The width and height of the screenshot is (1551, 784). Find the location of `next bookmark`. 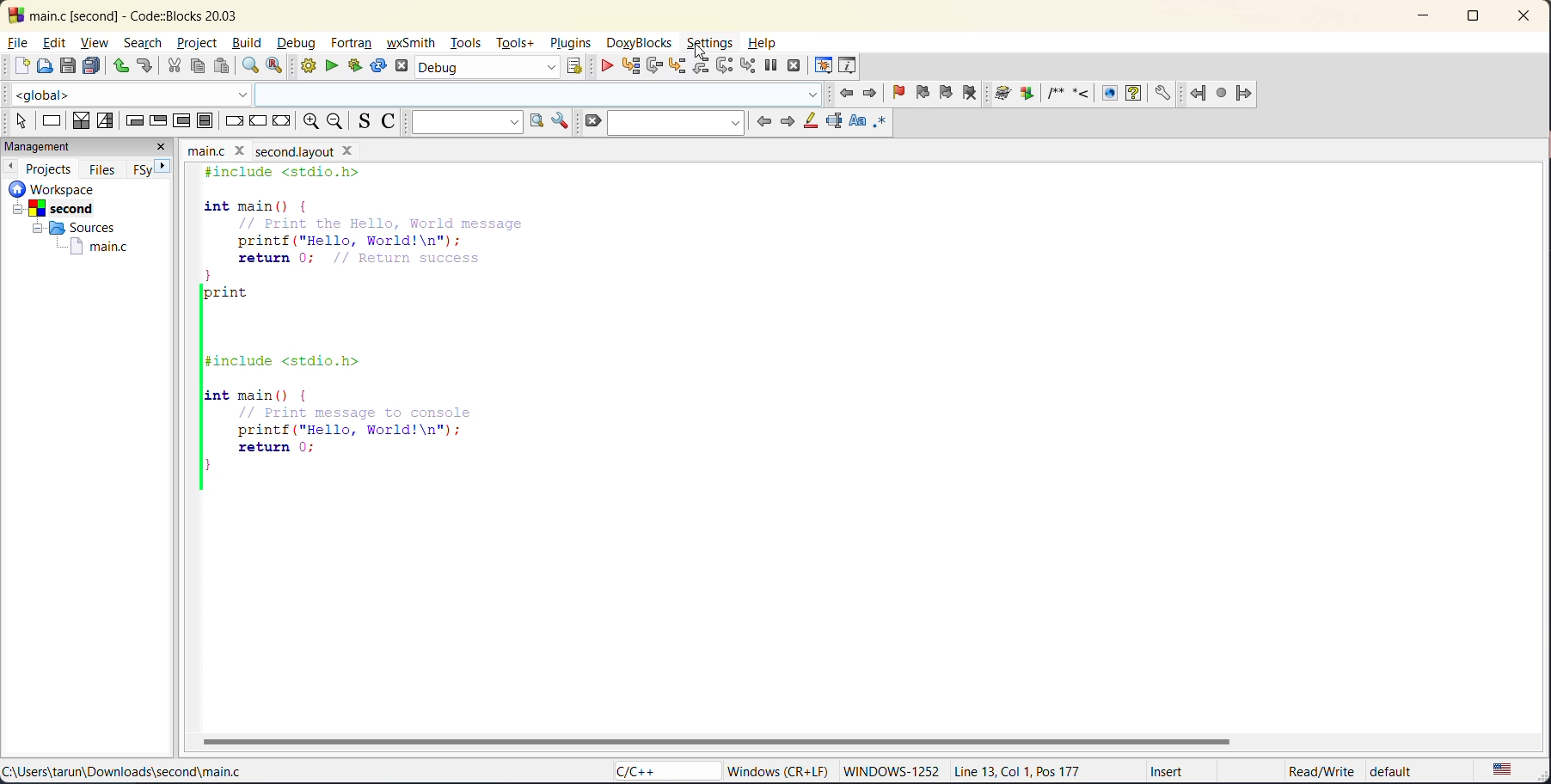

next bookmark is located at coordinates (948, 93).